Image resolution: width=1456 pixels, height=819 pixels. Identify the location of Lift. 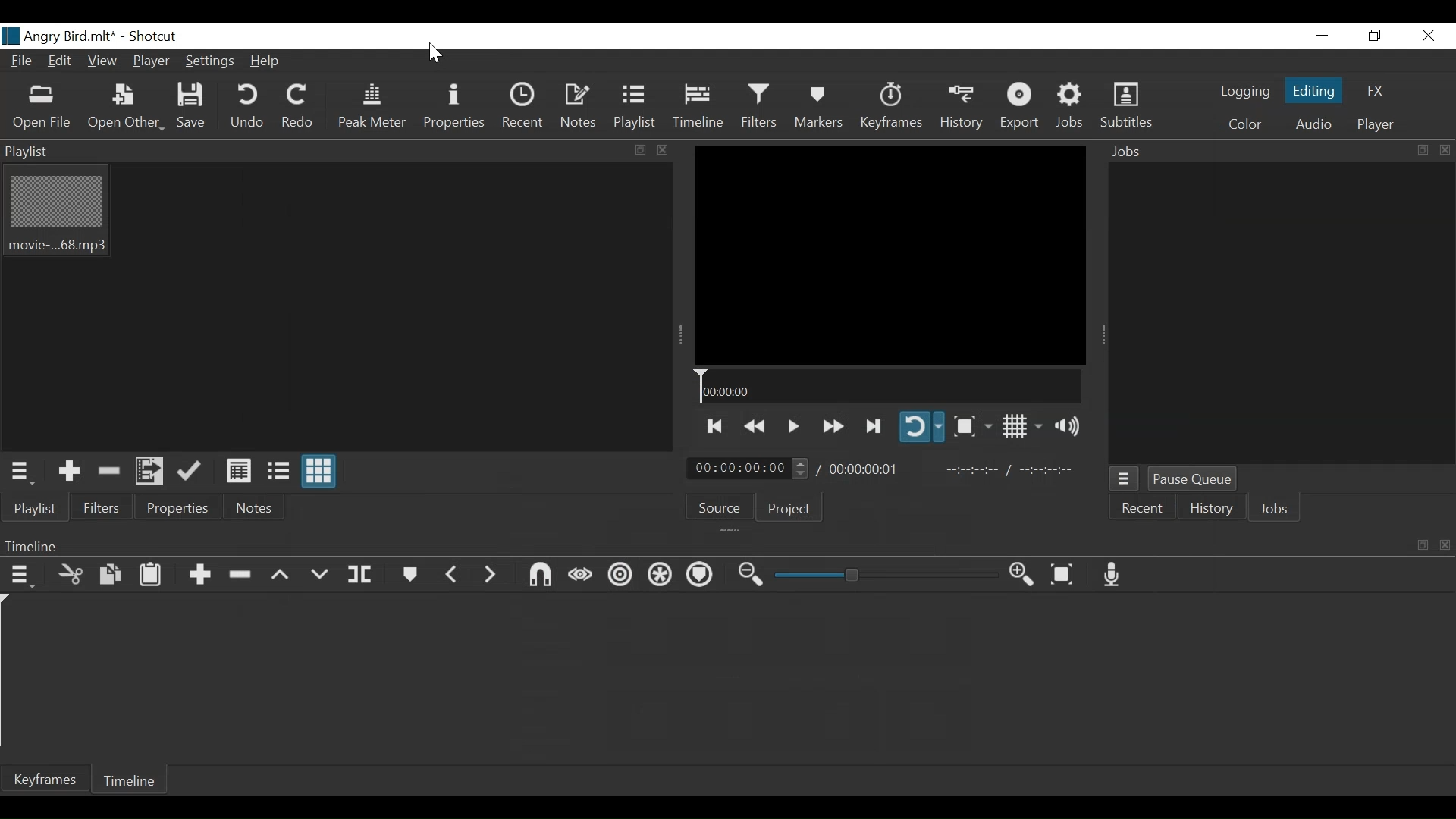
(281, 575).